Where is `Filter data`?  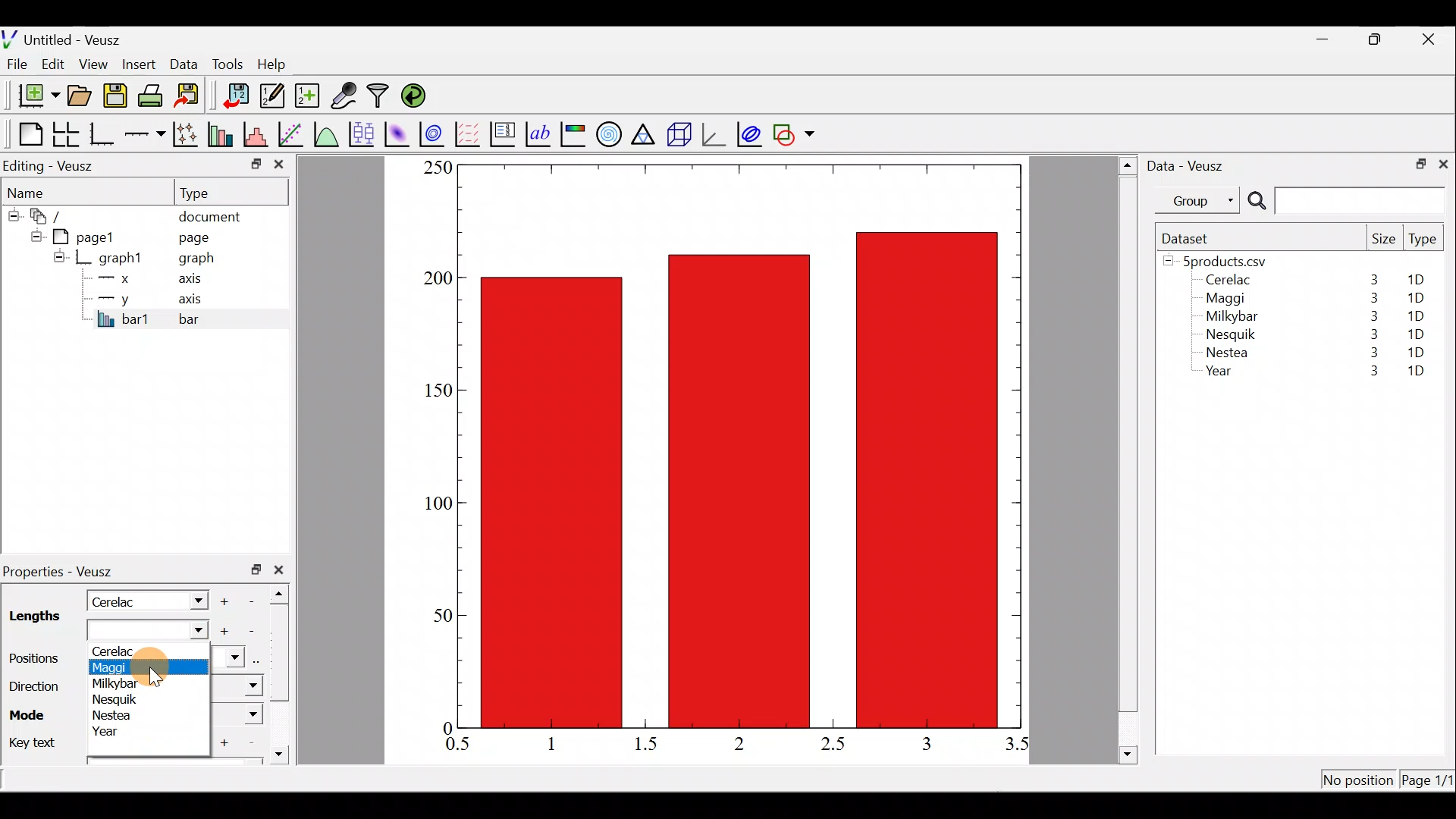
Filter data is located at coordinates (381, 97).